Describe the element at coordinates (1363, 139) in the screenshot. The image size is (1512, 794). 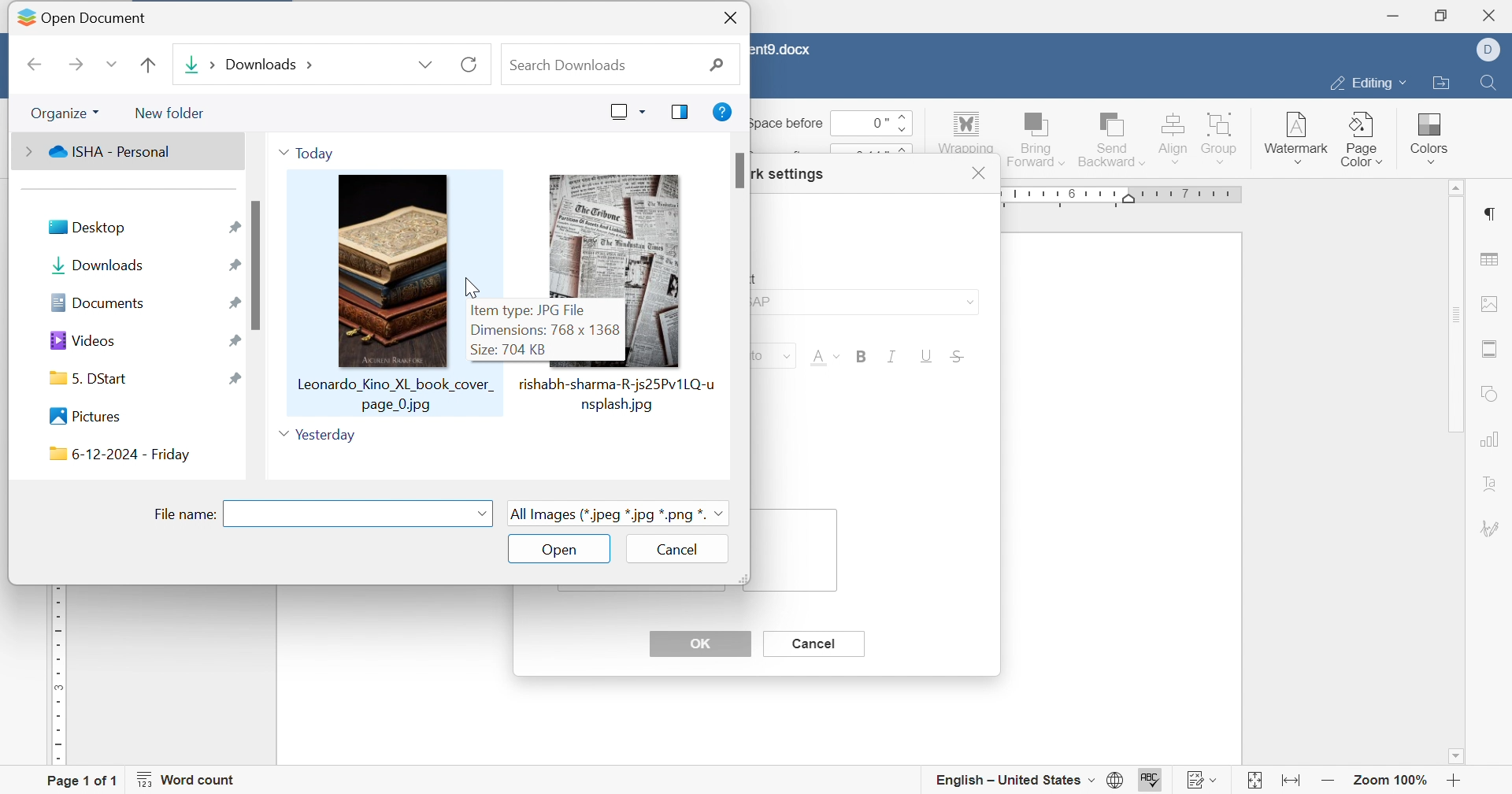
I see `page color` at that location.